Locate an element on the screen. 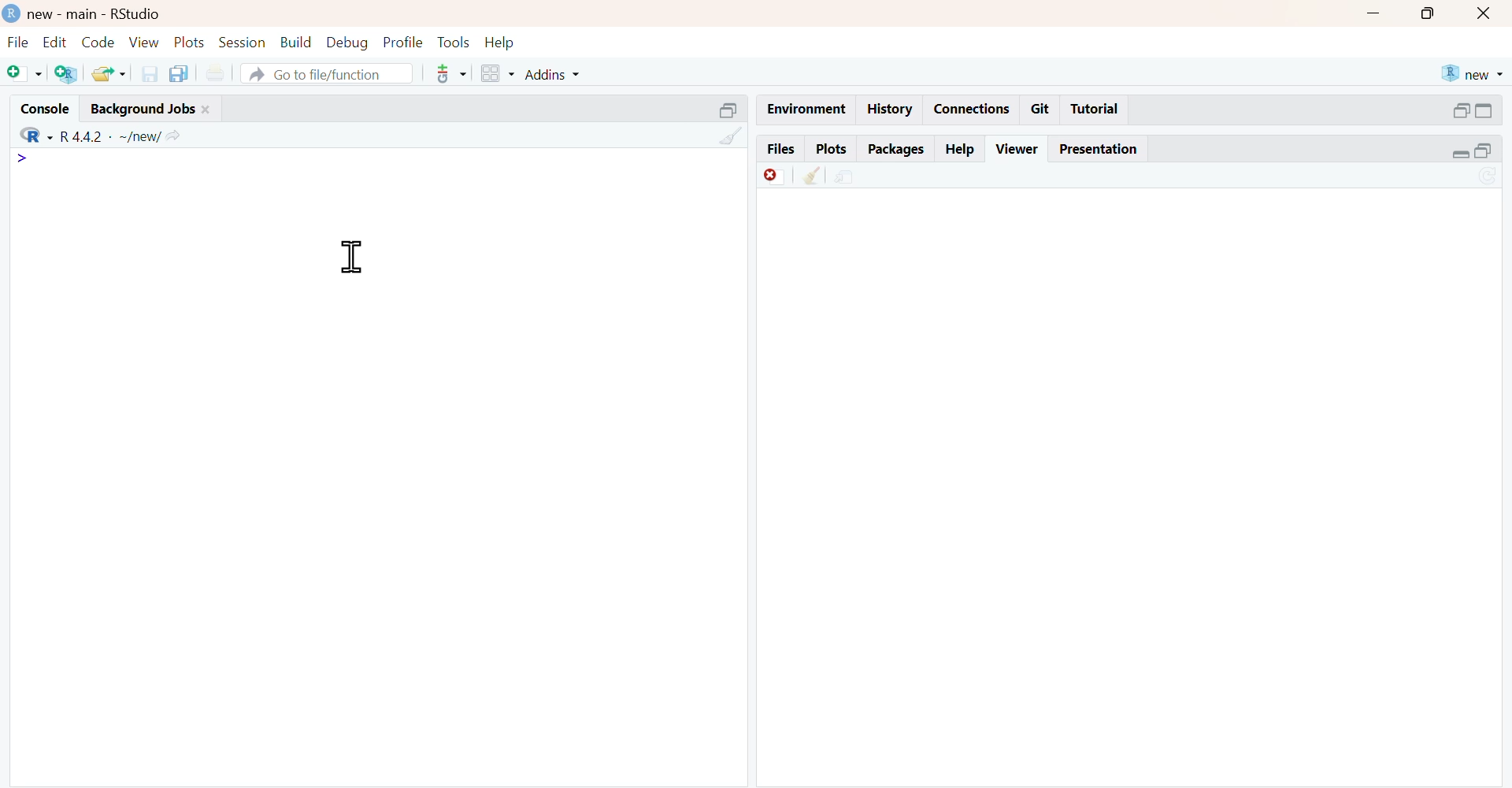  R is located at coordinates (37, 135).